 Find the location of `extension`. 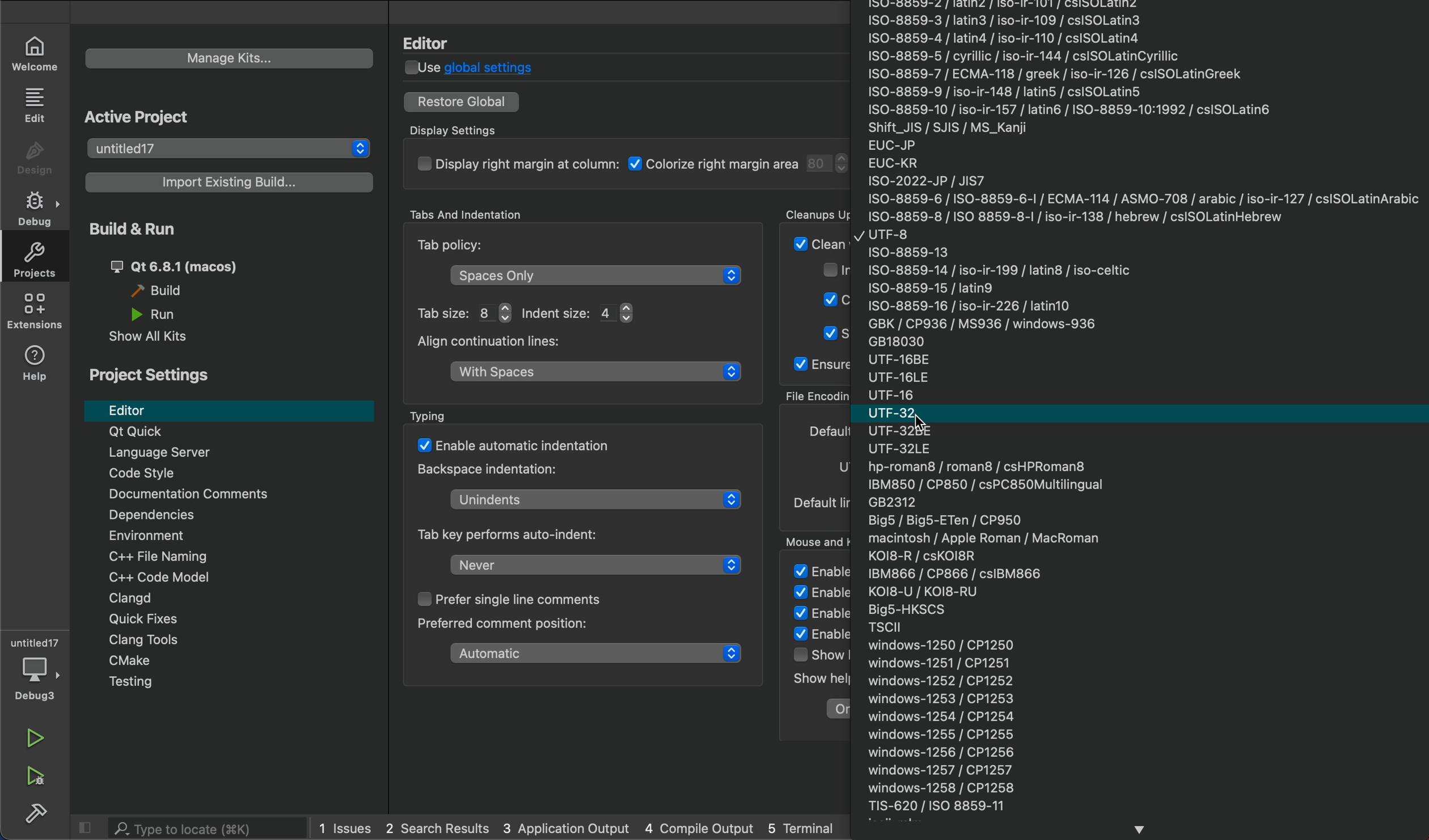

extension is located at coordinates (35, 311).